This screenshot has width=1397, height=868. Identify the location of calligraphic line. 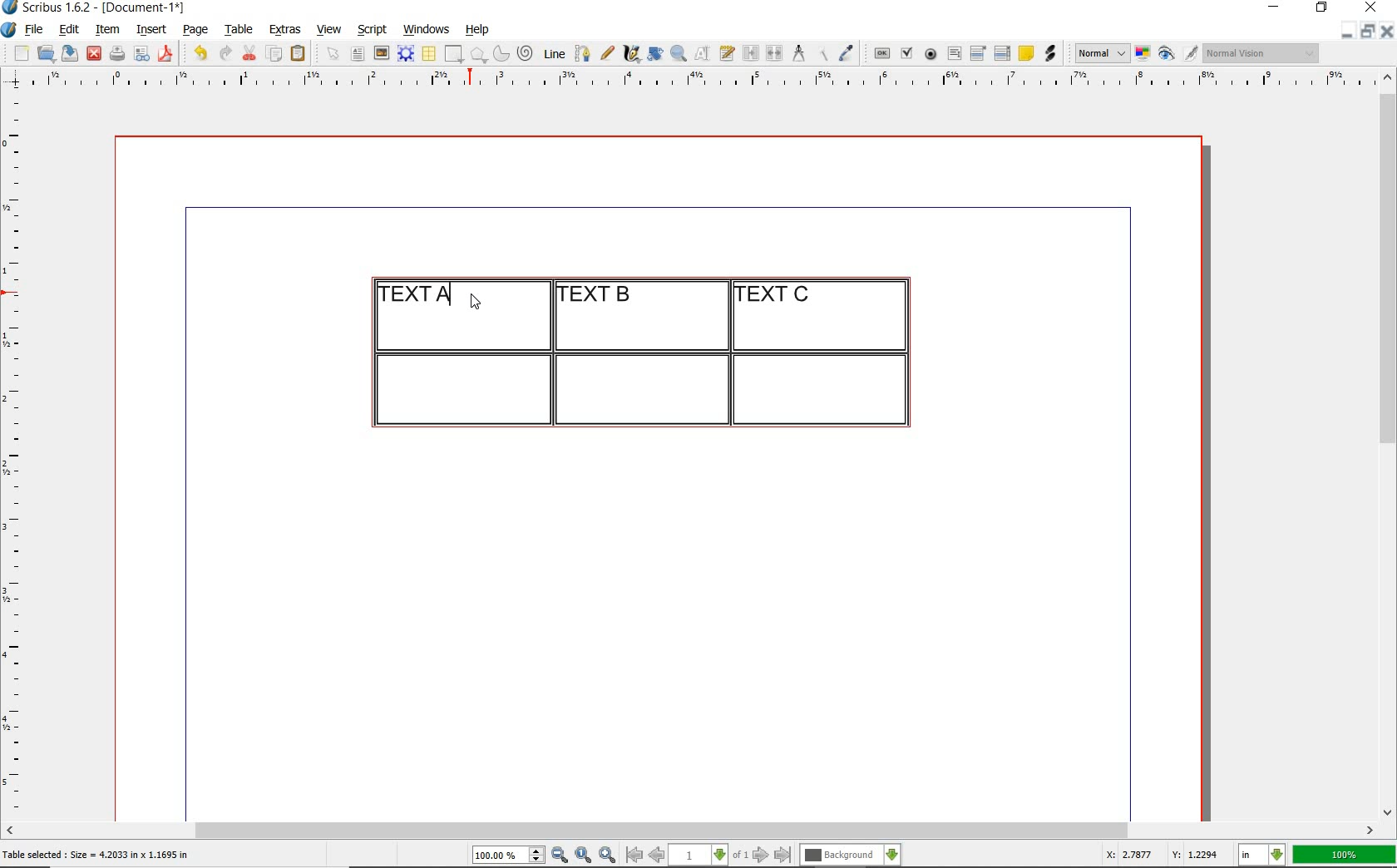
(633, 53).